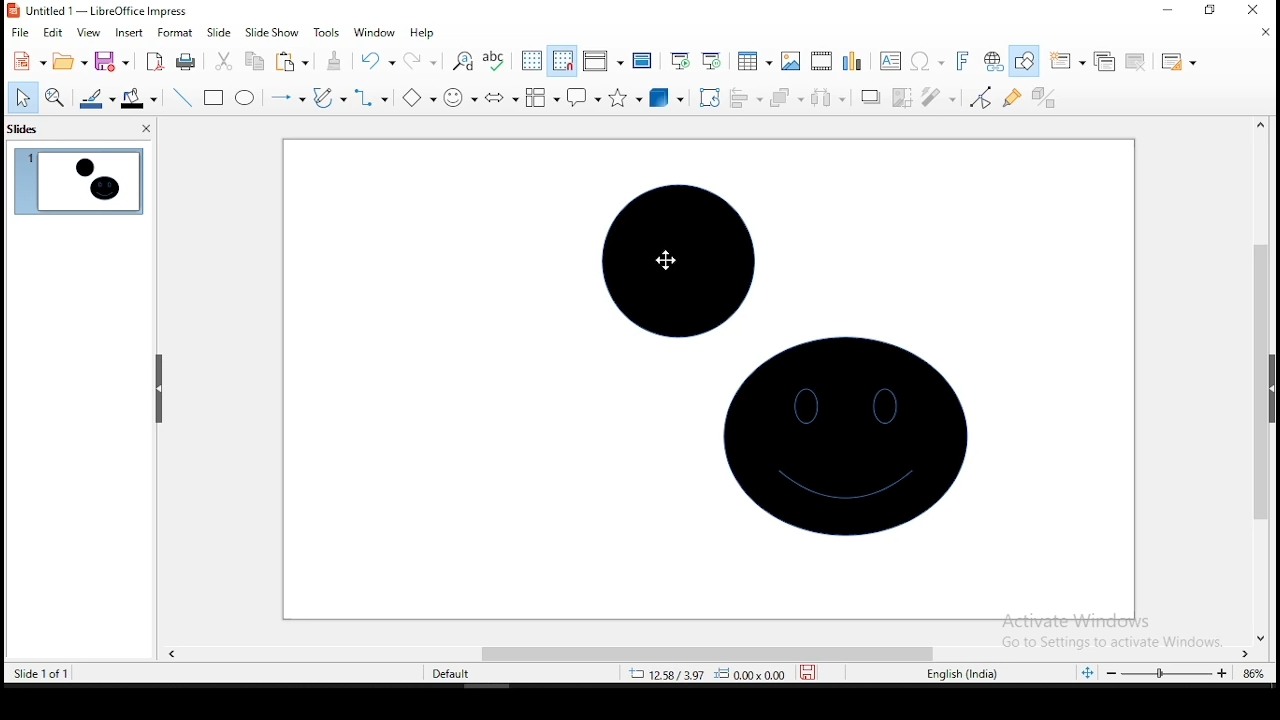  What do you see at coordinates (176, 33) in the screenshot?
I see `format` at bounding box center [176, 33].